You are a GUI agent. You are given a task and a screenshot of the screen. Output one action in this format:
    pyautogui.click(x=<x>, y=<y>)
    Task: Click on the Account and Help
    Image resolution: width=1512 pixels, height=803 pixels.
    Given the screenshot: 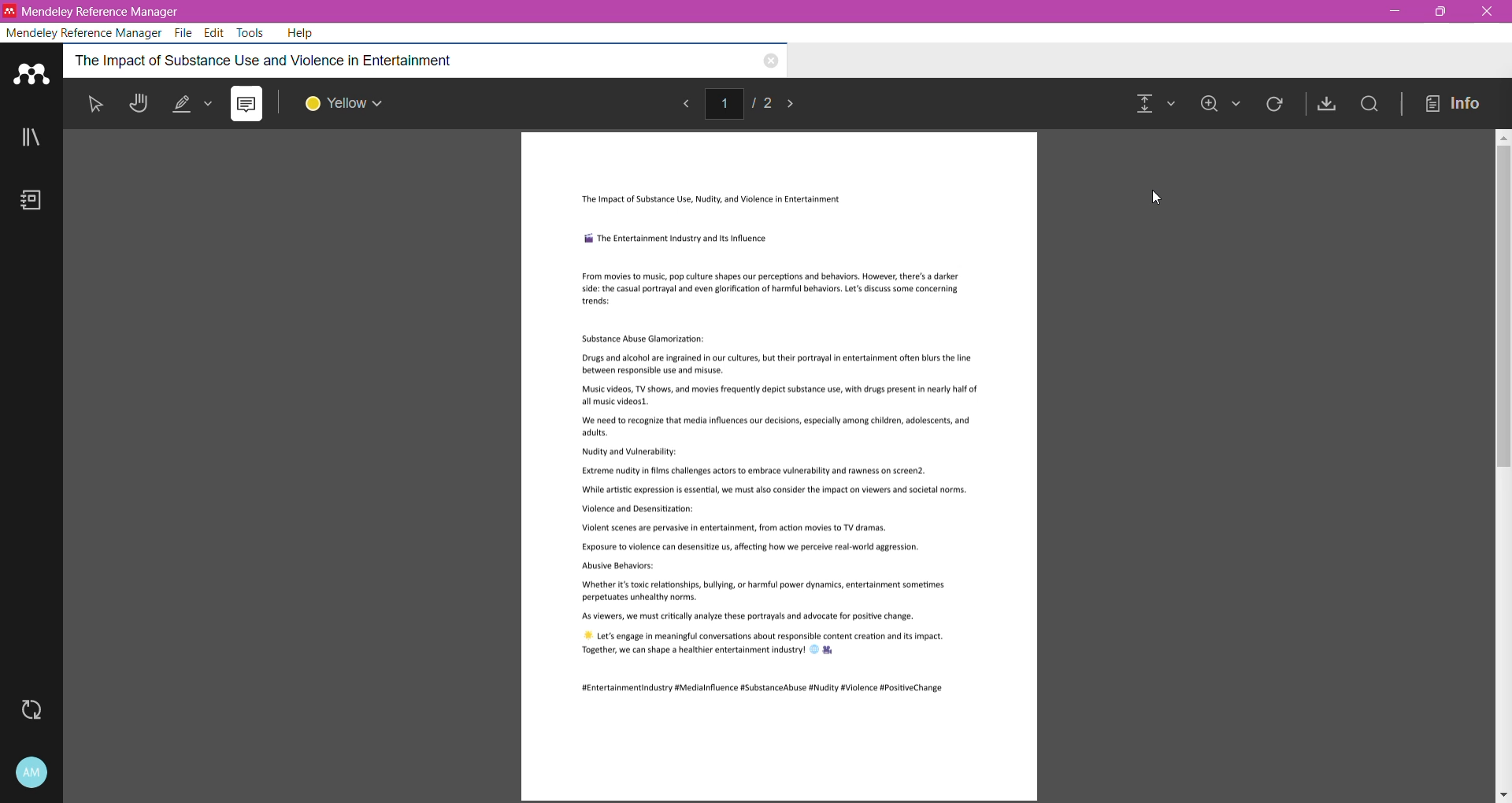 What is the action you would take?
    pyautogui.click(x=31, y=773)
    